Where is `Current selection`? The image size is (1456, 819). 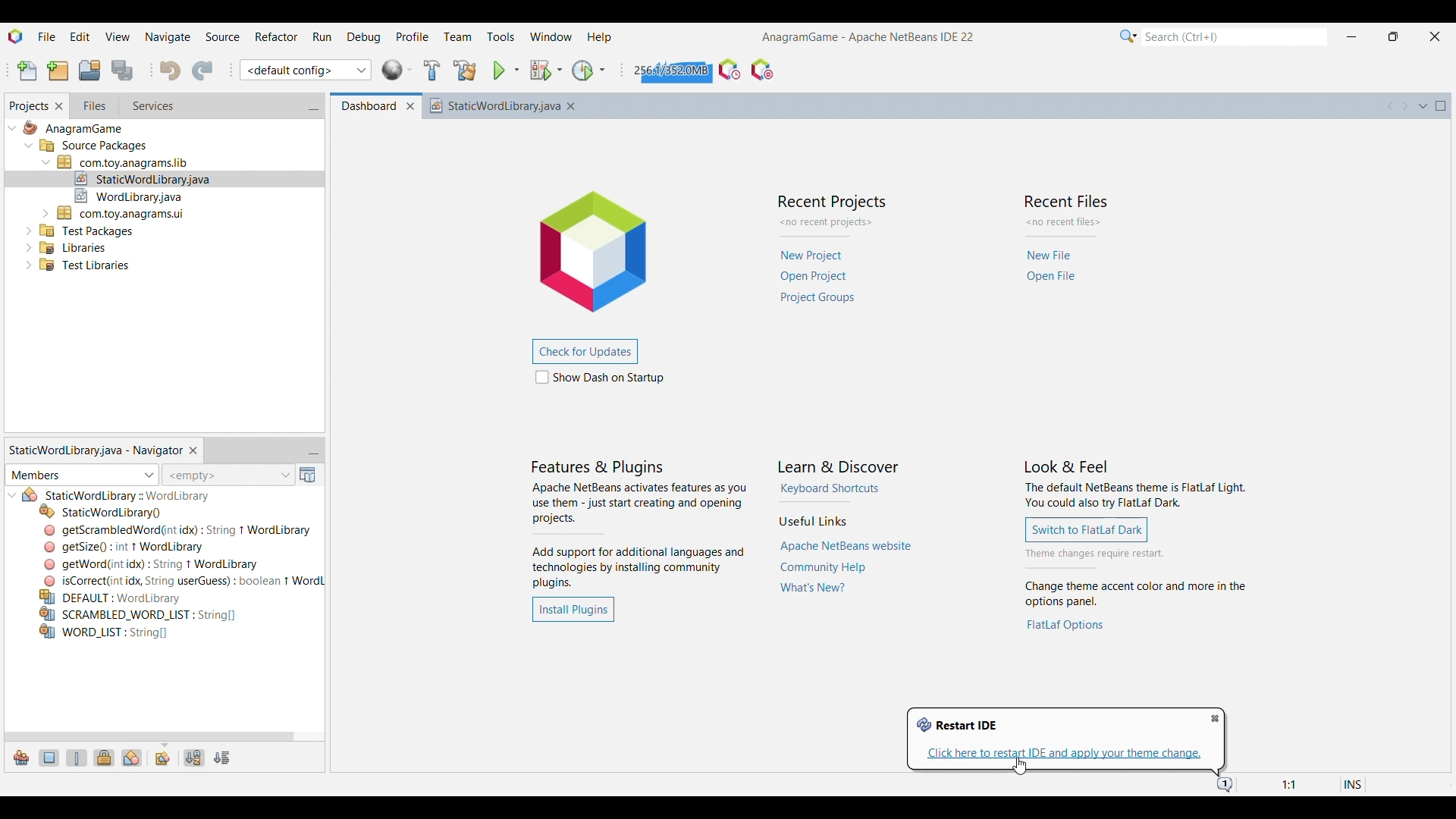
Current selection is located at coordinates (28, 106).